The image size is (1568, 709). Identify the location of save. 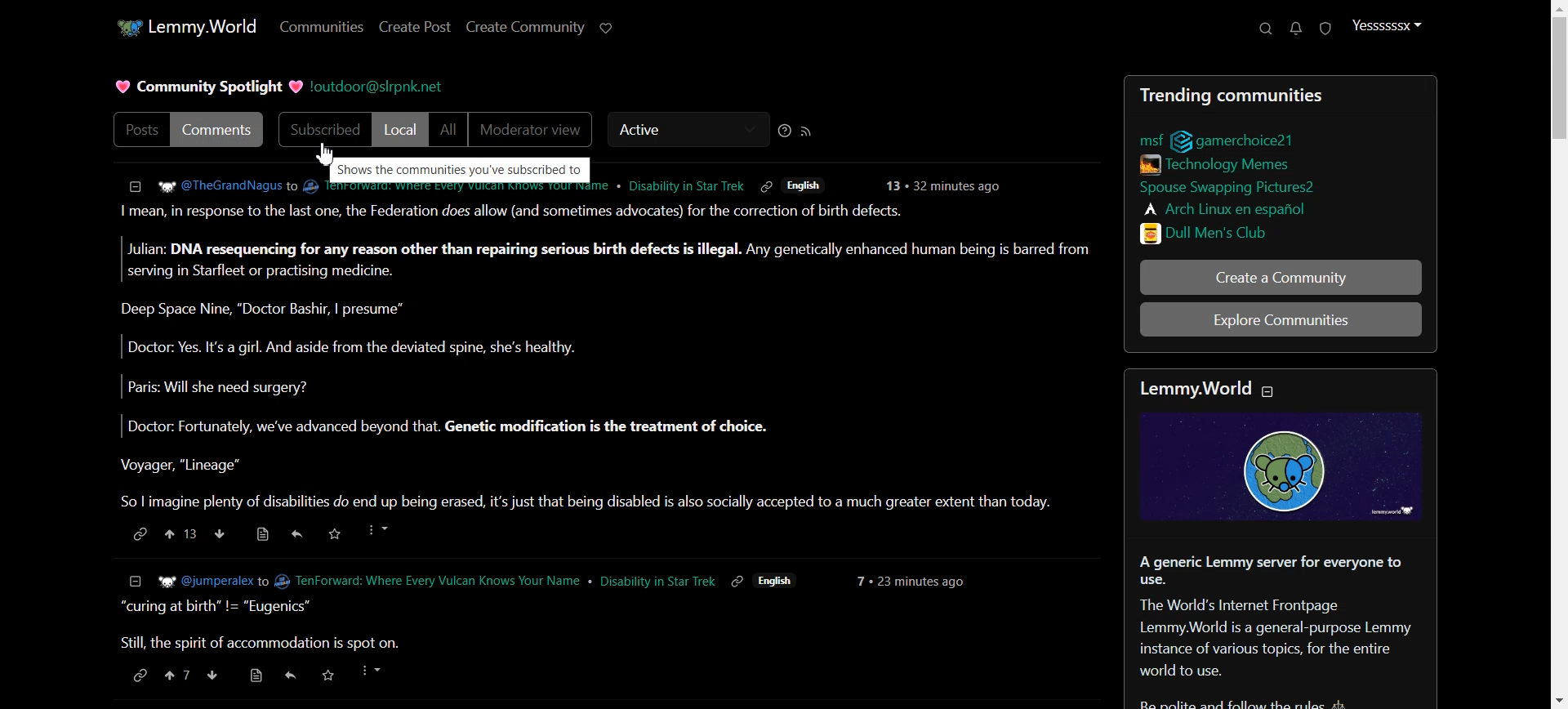
(339, 533).